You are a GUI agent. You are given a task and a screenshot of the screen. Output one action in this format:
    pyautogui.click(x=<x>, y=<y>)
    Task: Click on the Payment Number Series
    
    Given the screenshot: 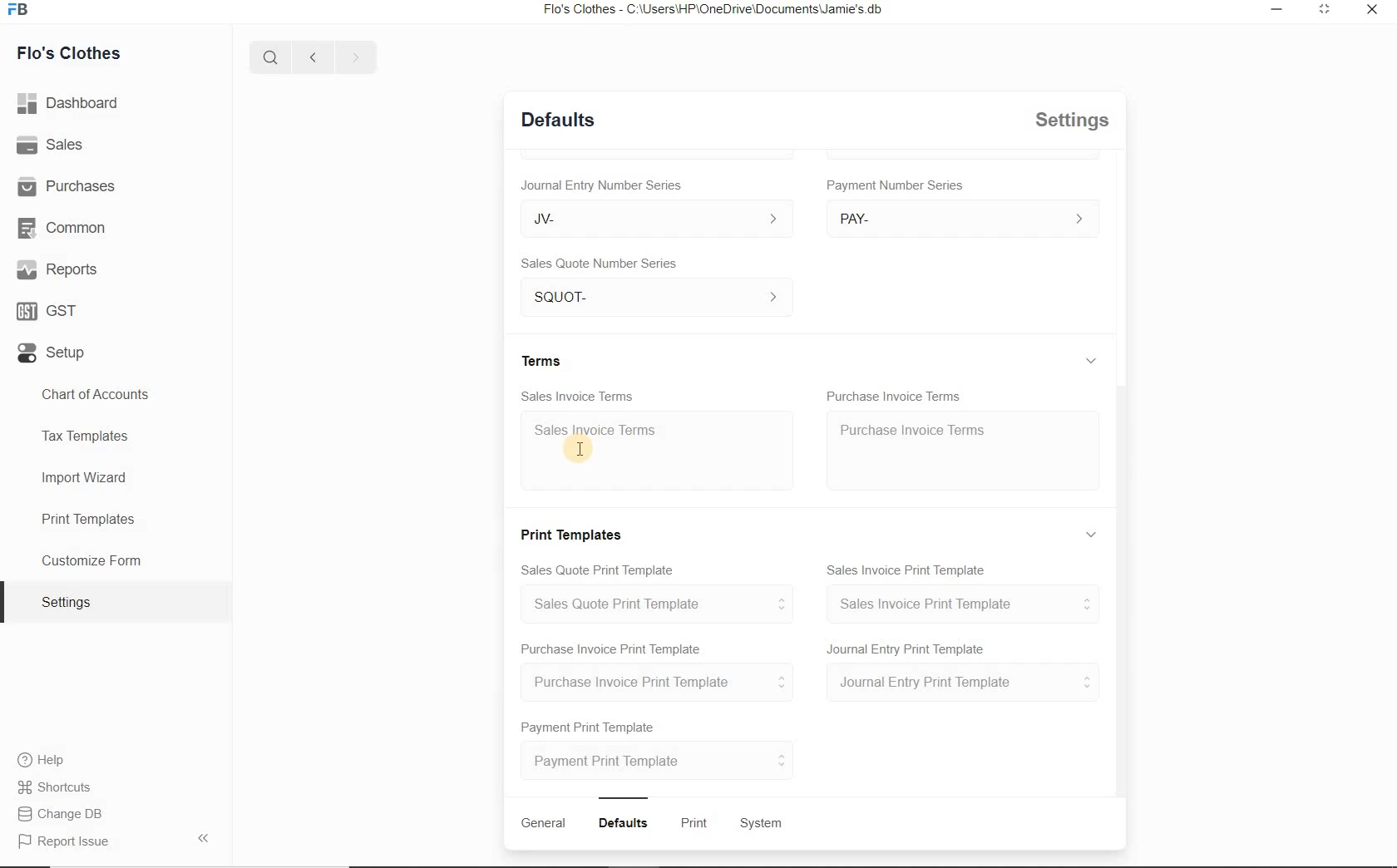 What is the action you would take?
    pyautogui.click(x=896, y=185)
    